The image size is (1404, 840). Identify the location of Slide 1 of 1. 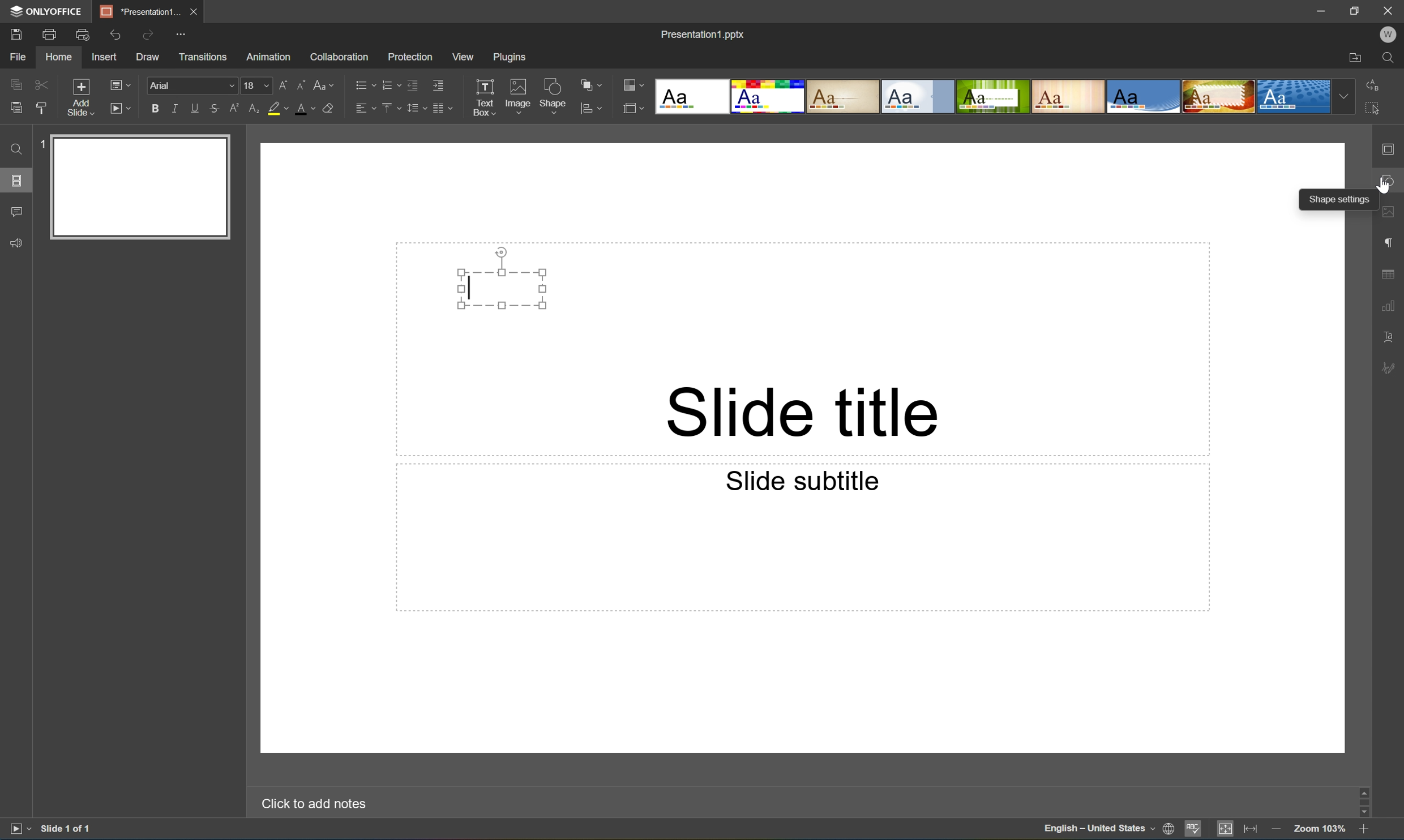
(67, 828).